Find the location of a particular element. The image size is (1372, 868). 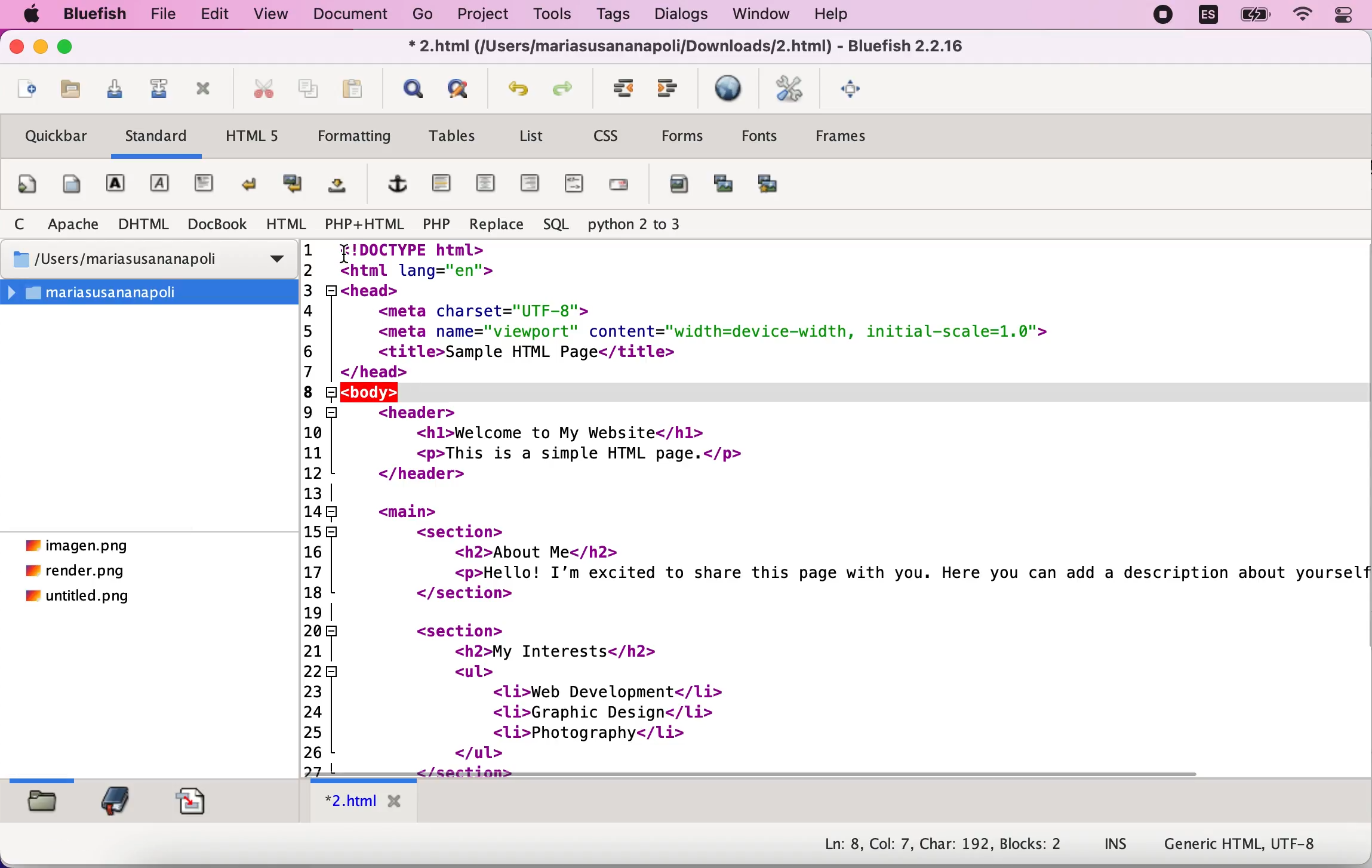

c is located at coordinates (20, 224).